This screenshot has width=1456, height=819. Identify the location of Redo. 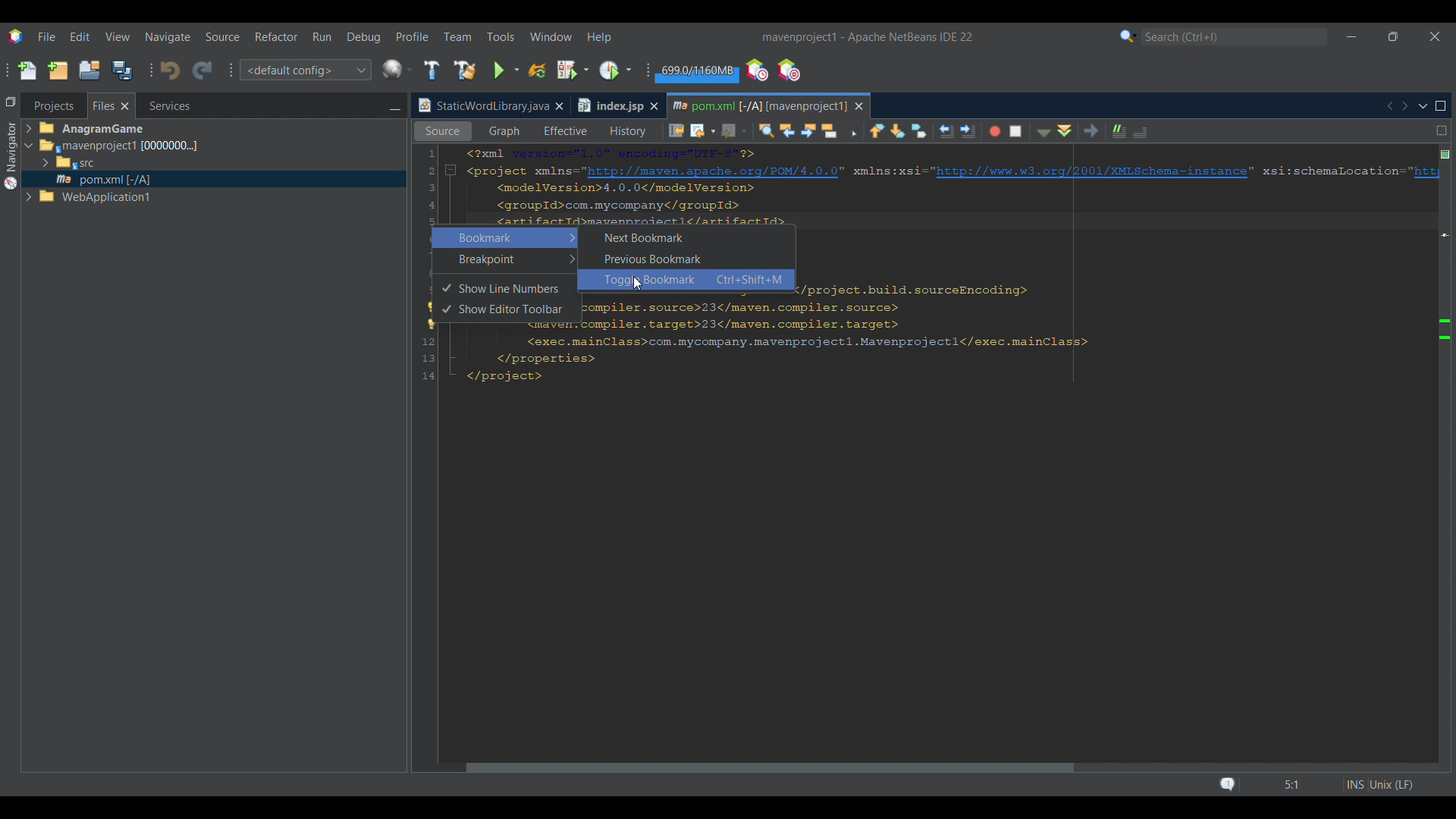
(202, 71).